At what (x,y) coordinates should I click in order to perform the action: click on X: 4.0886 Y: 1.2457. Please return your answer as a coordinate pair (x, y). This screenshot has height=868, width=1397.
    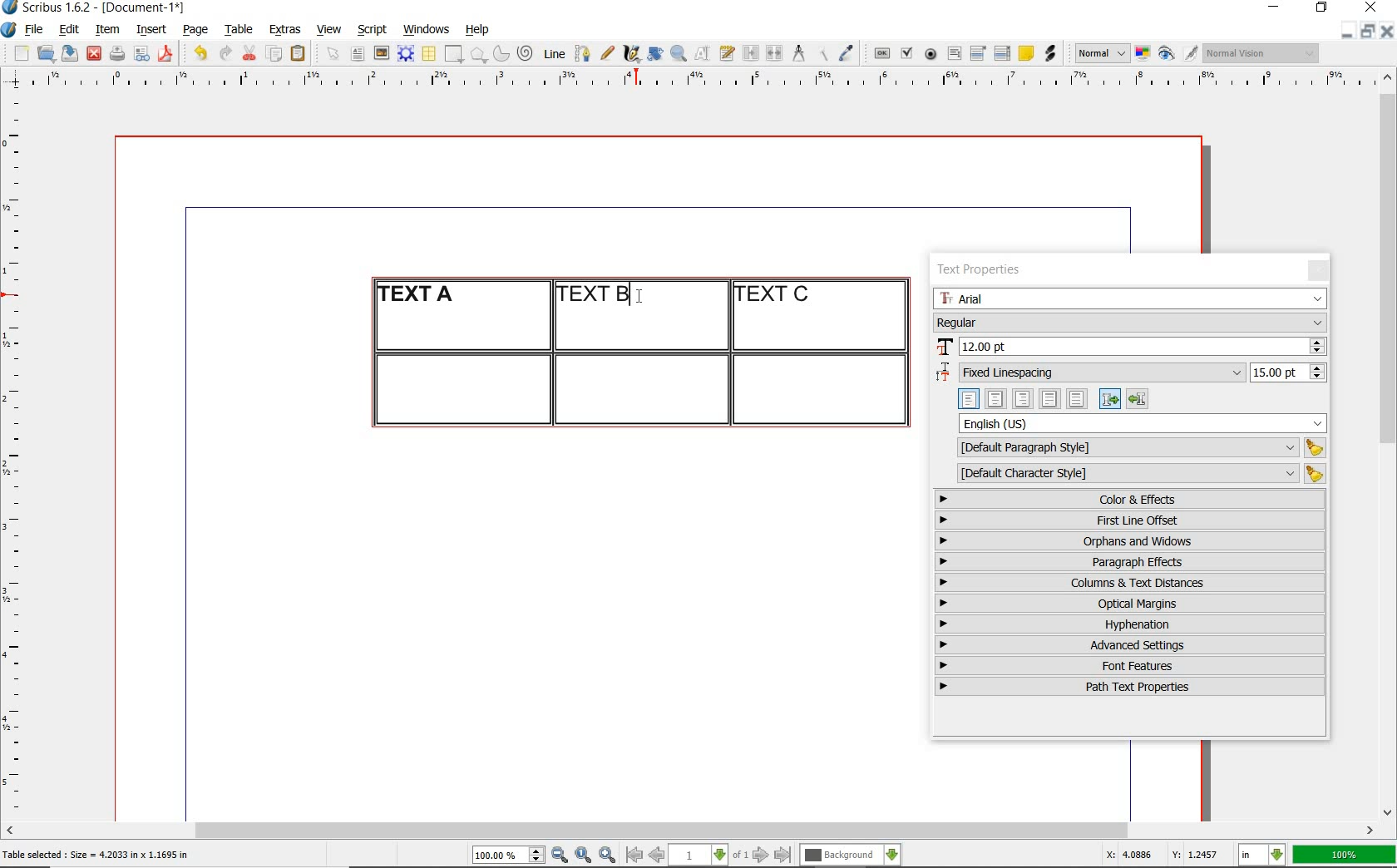
    Looking at the image, I should click on (1165, 855).